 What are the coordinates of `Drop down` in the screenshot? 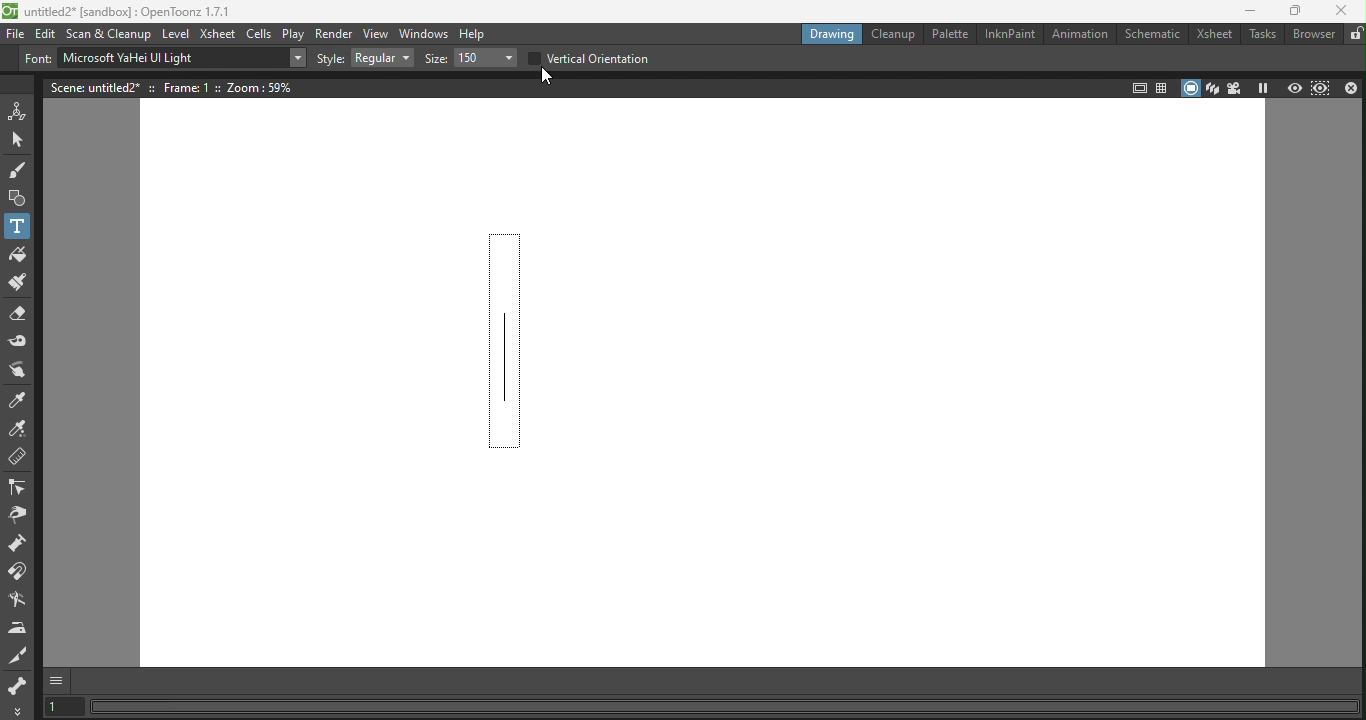 It's located at (486, 58).